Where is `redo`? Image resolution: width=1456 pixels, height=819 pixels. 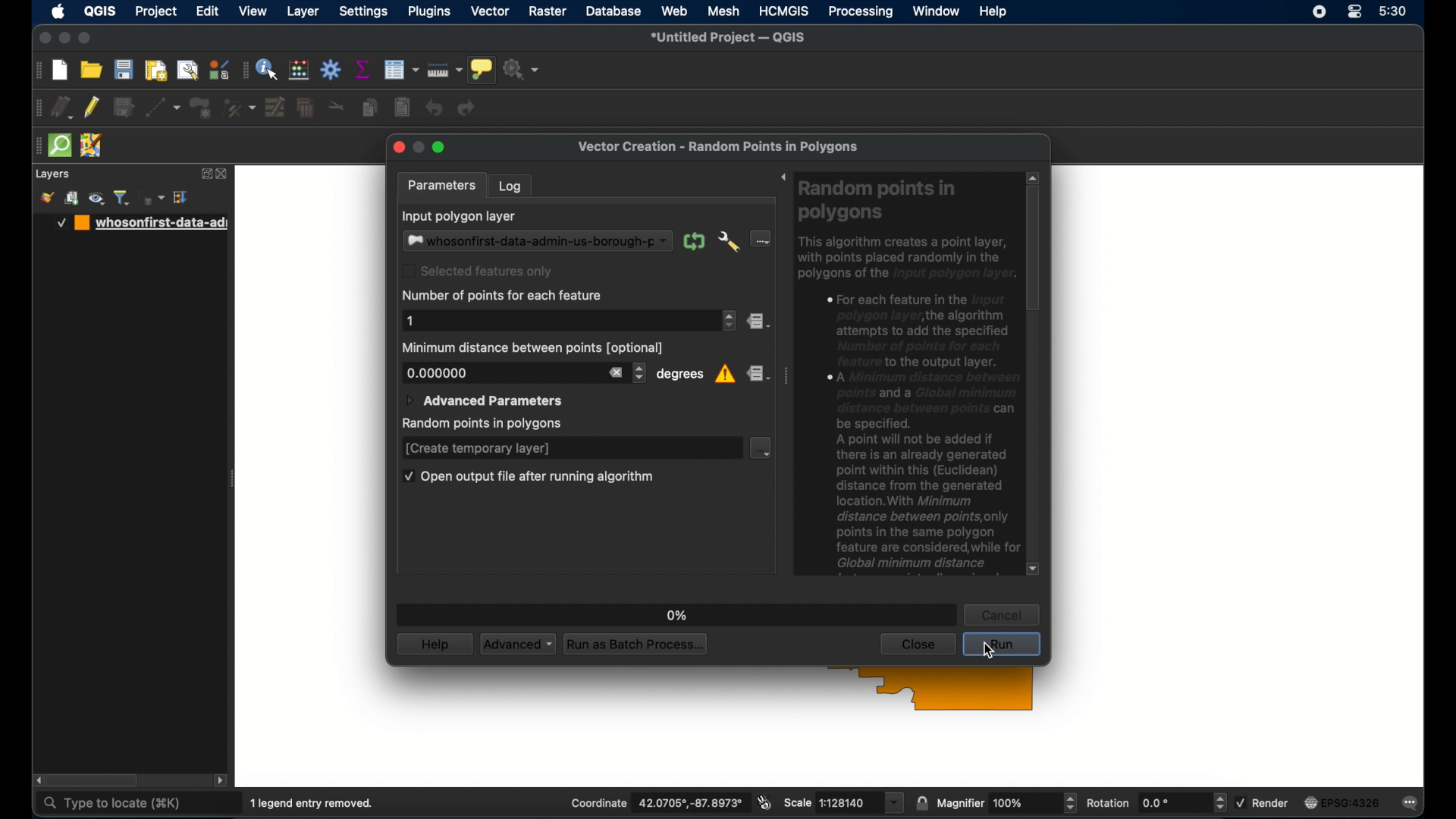 redo is located at coordinates (466, 109).